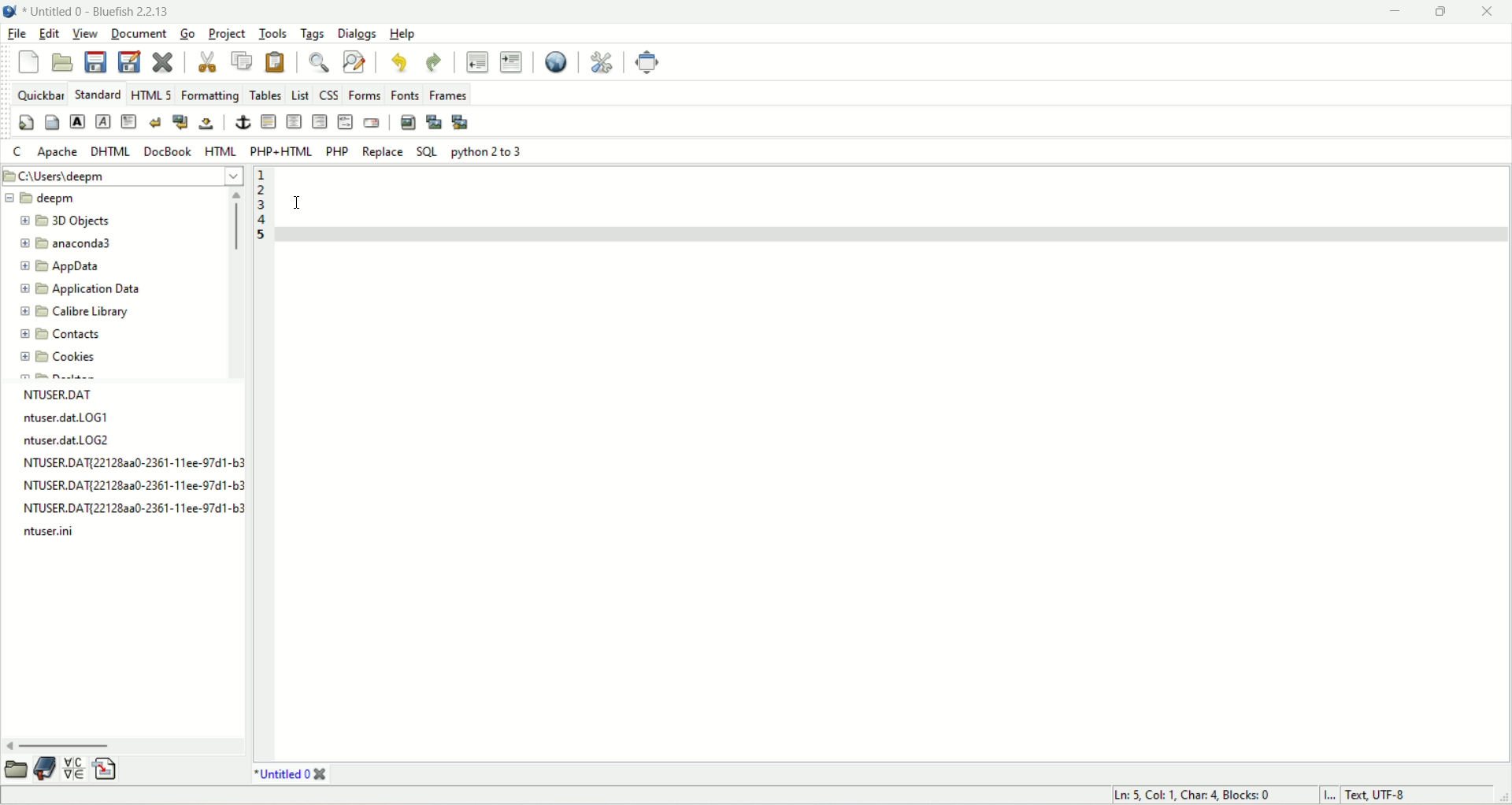 The height and width of the screenshot is (805, 1512). Describe the element at coordinates (447, 93) in the screenshot. I see `frames` at that location.